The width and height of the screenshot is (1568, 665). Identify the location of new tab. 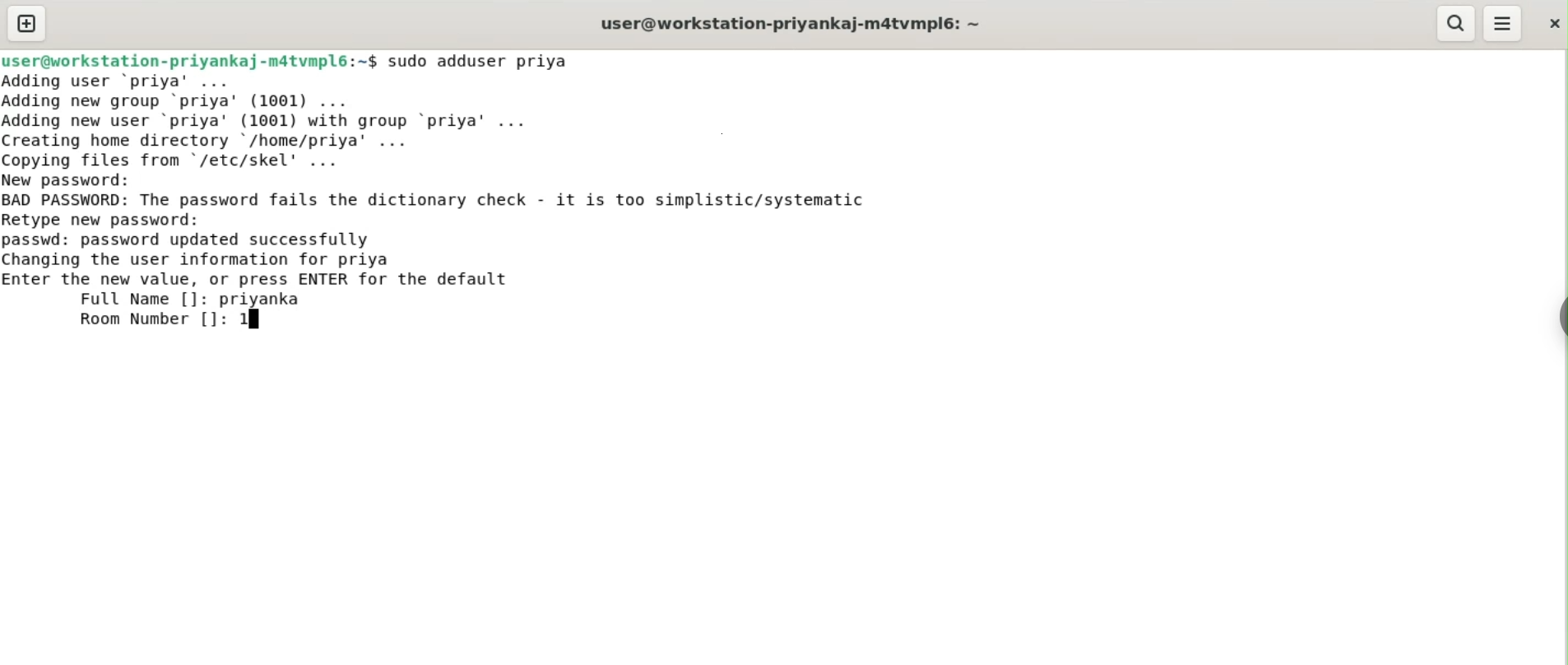
(26, 23).